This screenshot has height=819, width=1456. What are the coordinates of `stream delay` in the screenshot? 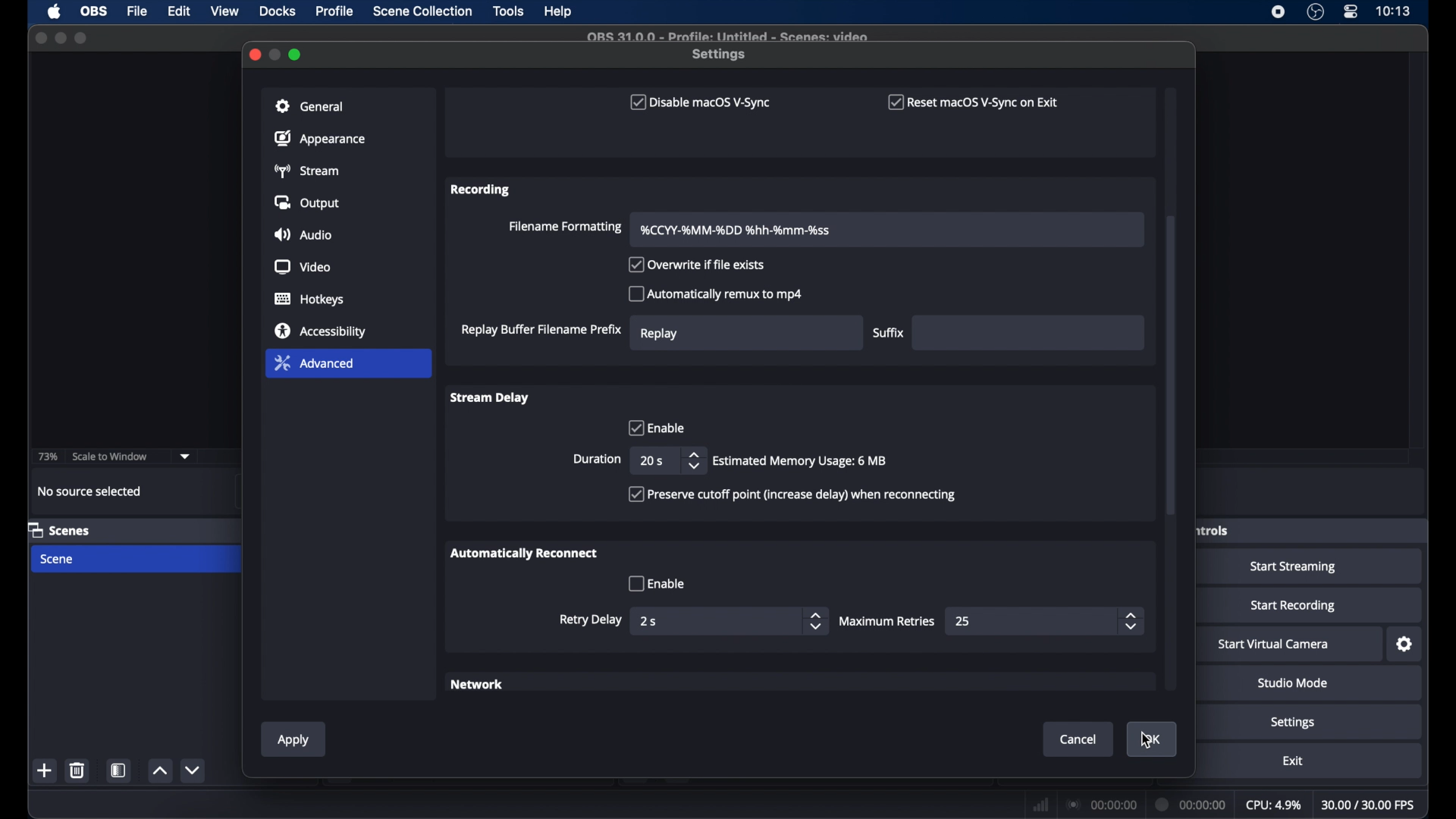 It's located at (488, 397).